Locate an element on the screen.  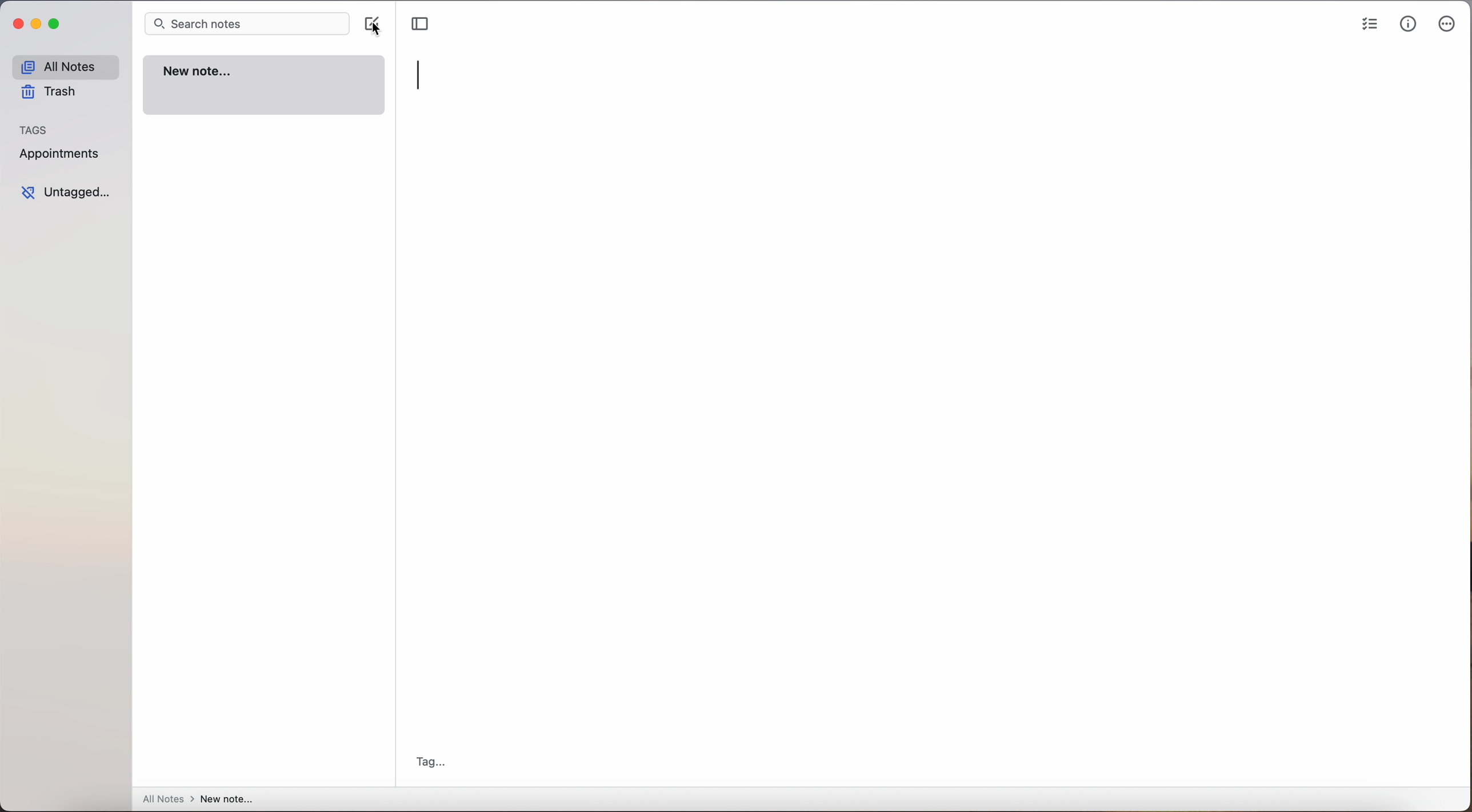
toggle sidebar is located at coordinates (418, 24).